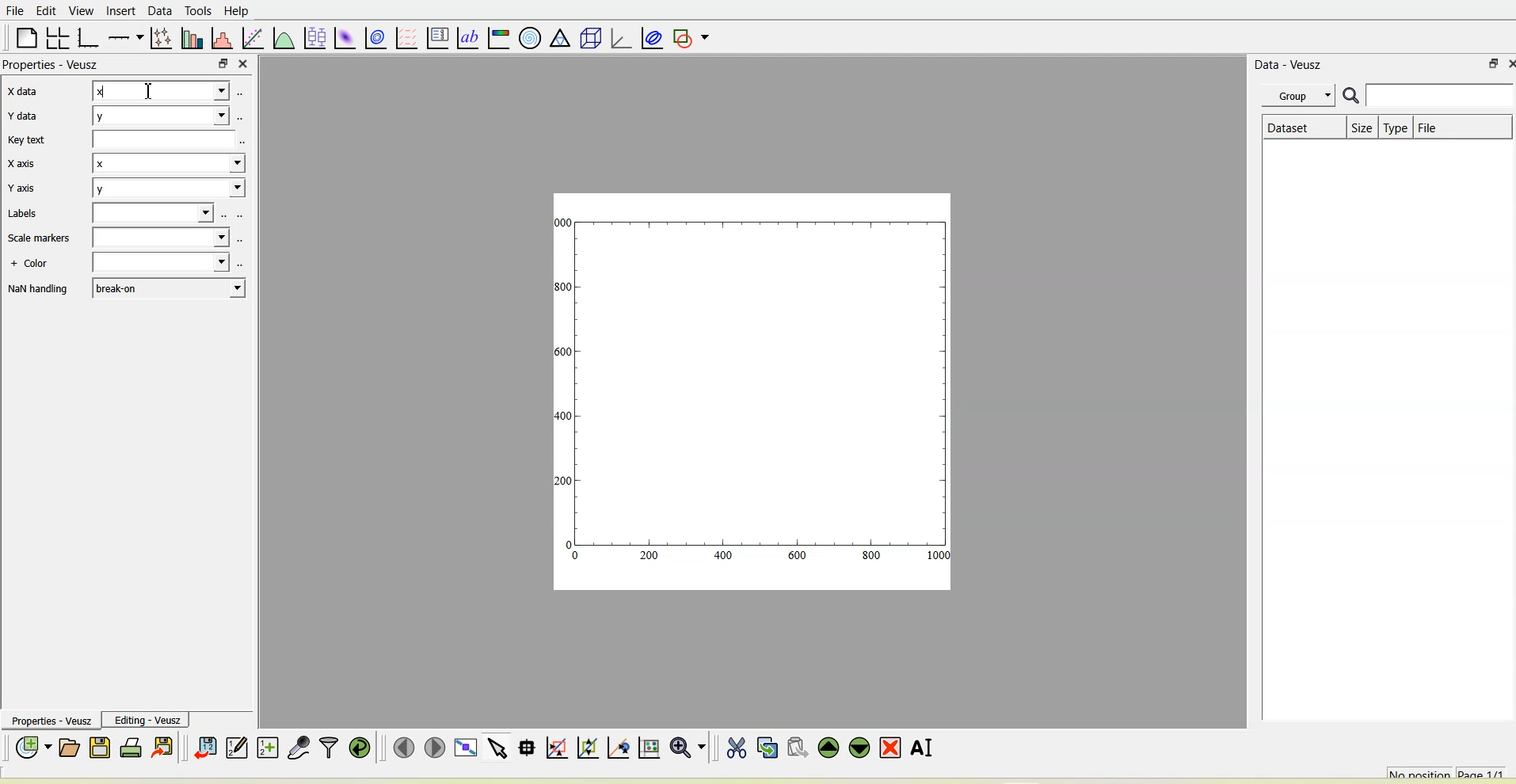 This screenshot has width=1516, height=784. Describe the element at coordinates (564, 414) in the screenshot. I see `400` at that location.